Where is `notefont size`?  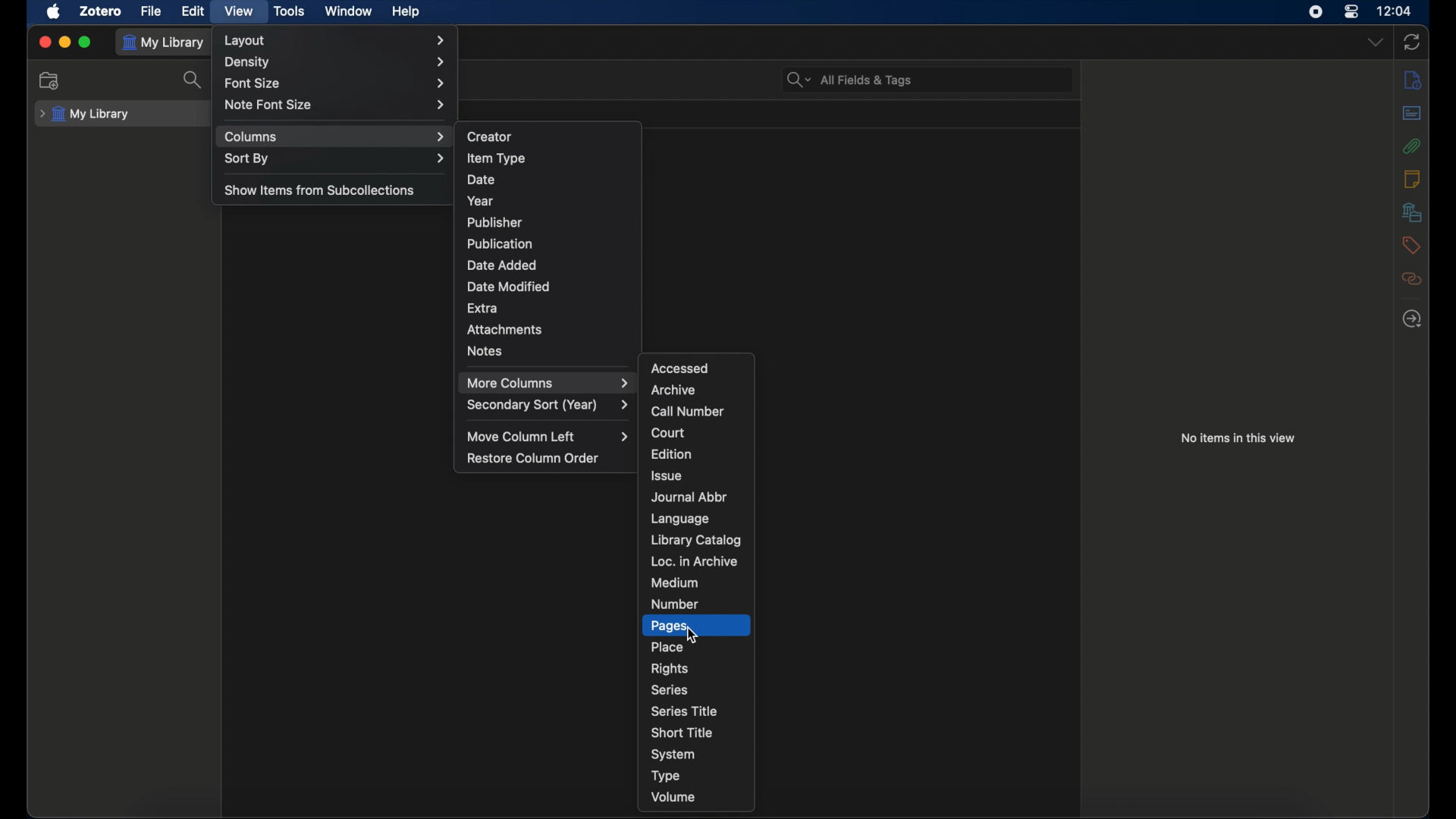
notefont size is located at coordinates (338, 105).